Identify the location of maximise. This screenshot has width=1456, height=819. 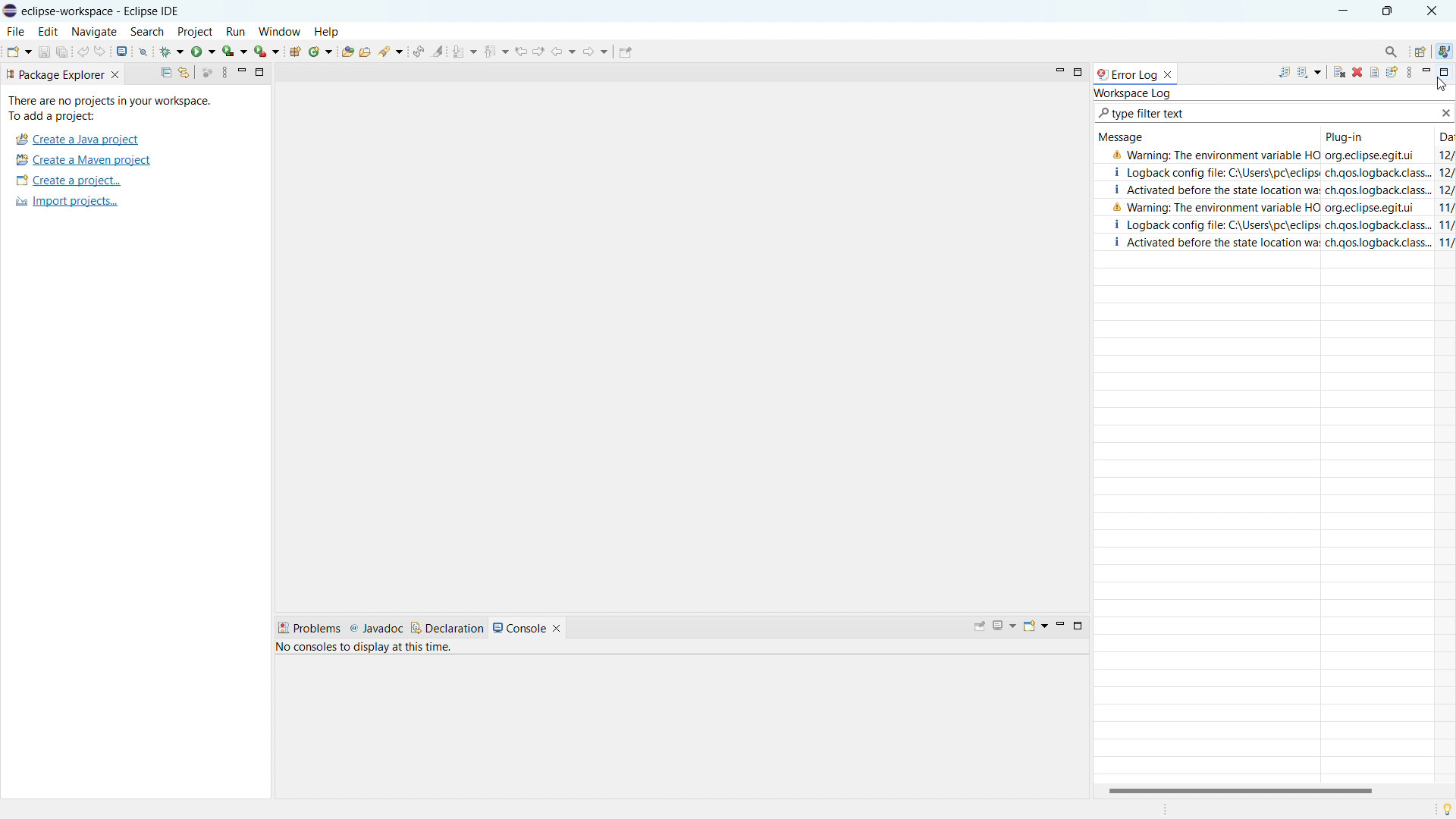
(1078, 71).